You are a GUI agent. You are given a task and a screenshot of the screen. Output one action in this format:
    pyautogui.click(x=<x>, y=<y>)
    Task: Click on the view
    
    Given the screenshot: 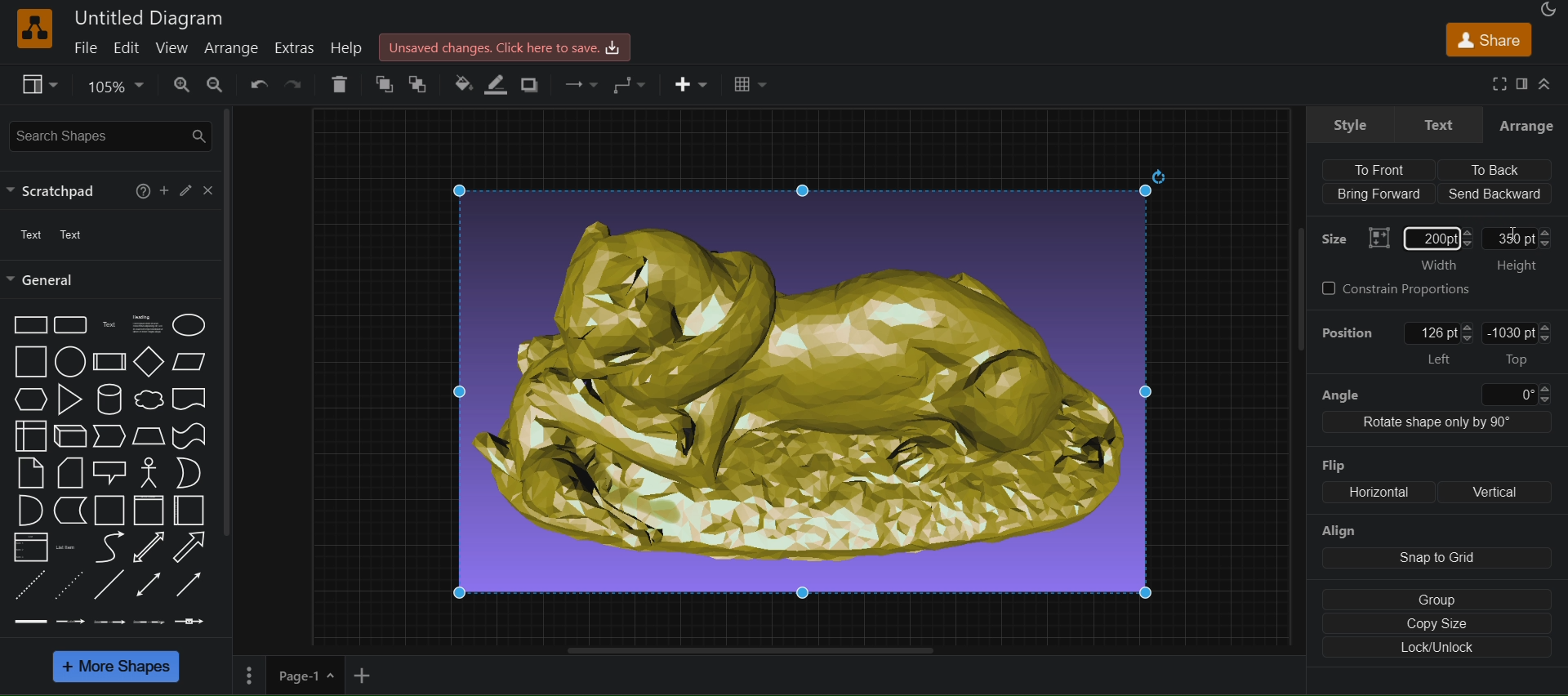 What is the action you would take?
    pyautogui.click(x=169, y=49)
    